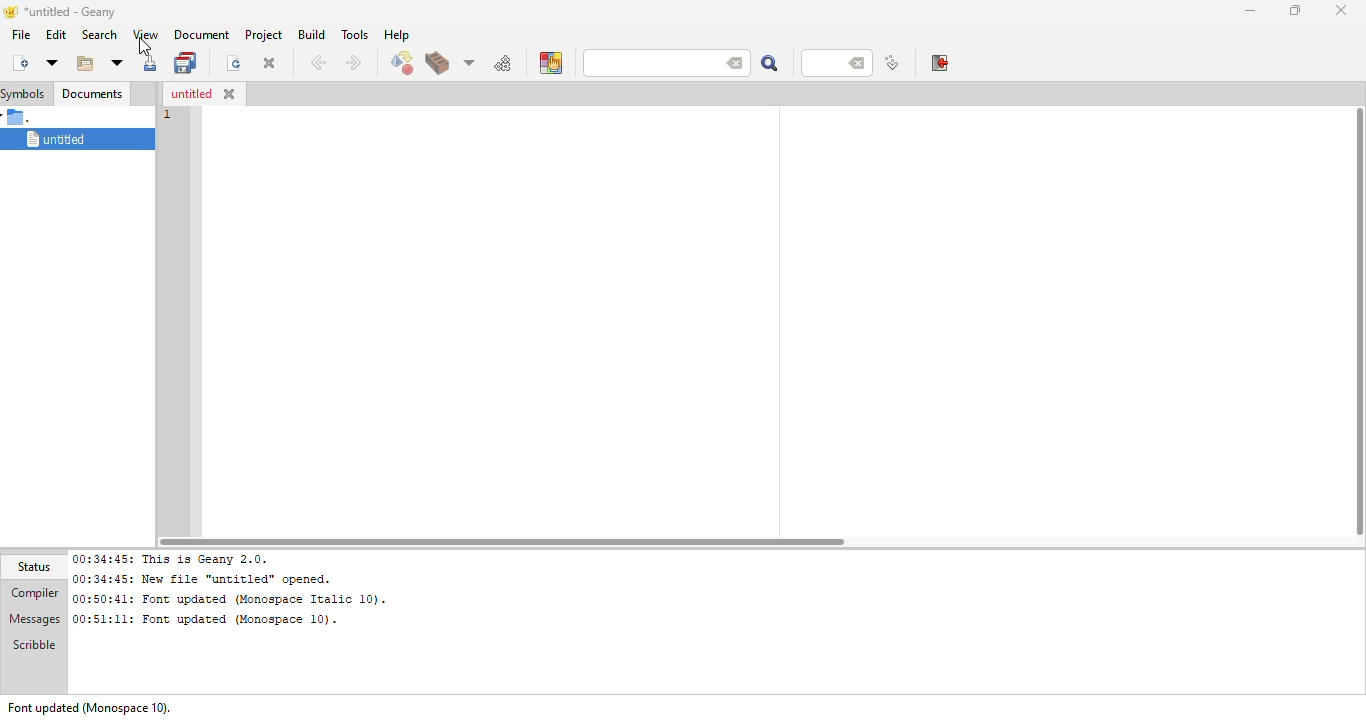 The height and width of the screenshot is (720, 1366). I want to click on compile, so click(401, 64).